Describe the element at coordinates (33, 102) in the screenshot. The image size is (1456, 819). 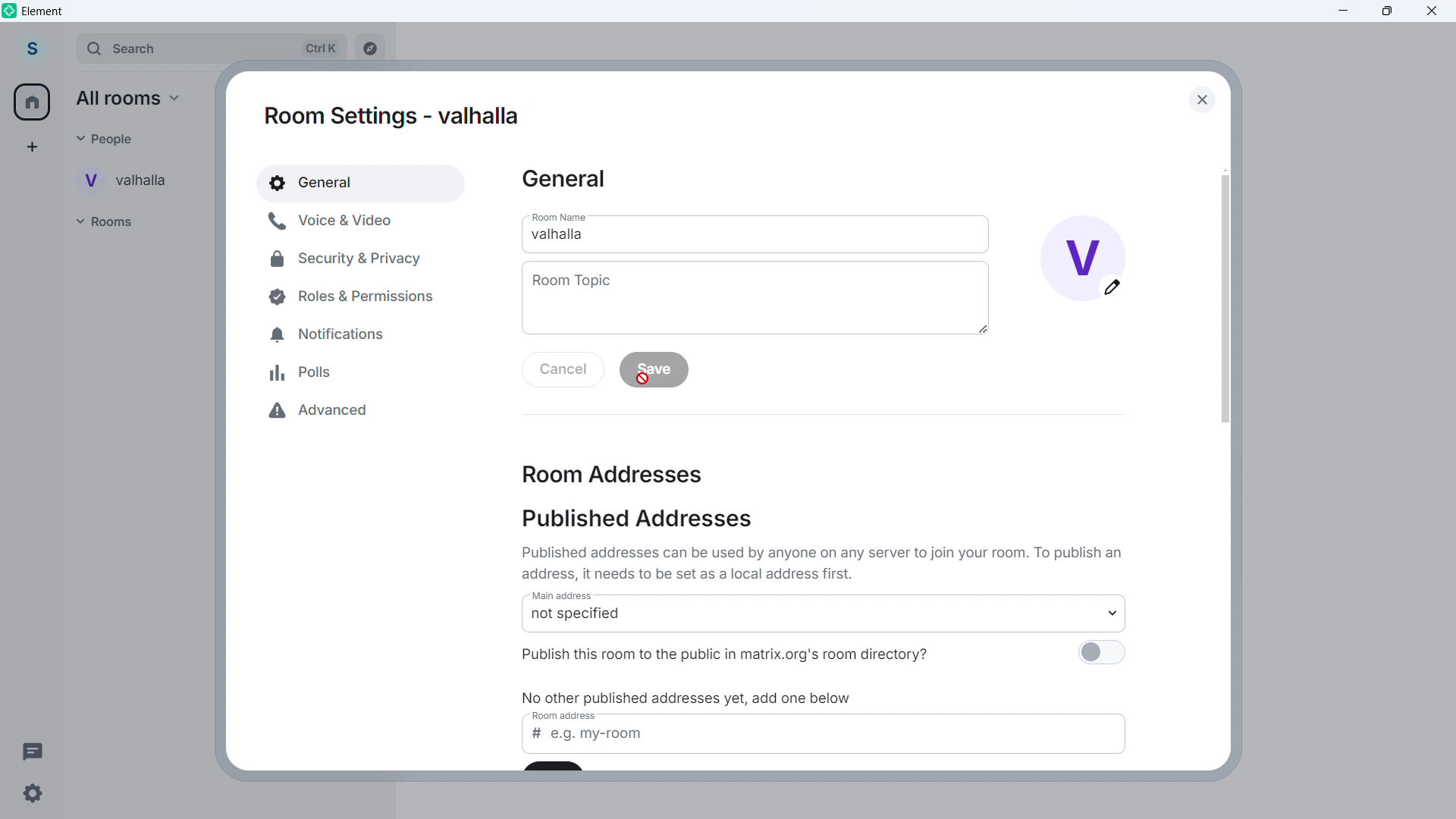
I see `Home ` at that location.